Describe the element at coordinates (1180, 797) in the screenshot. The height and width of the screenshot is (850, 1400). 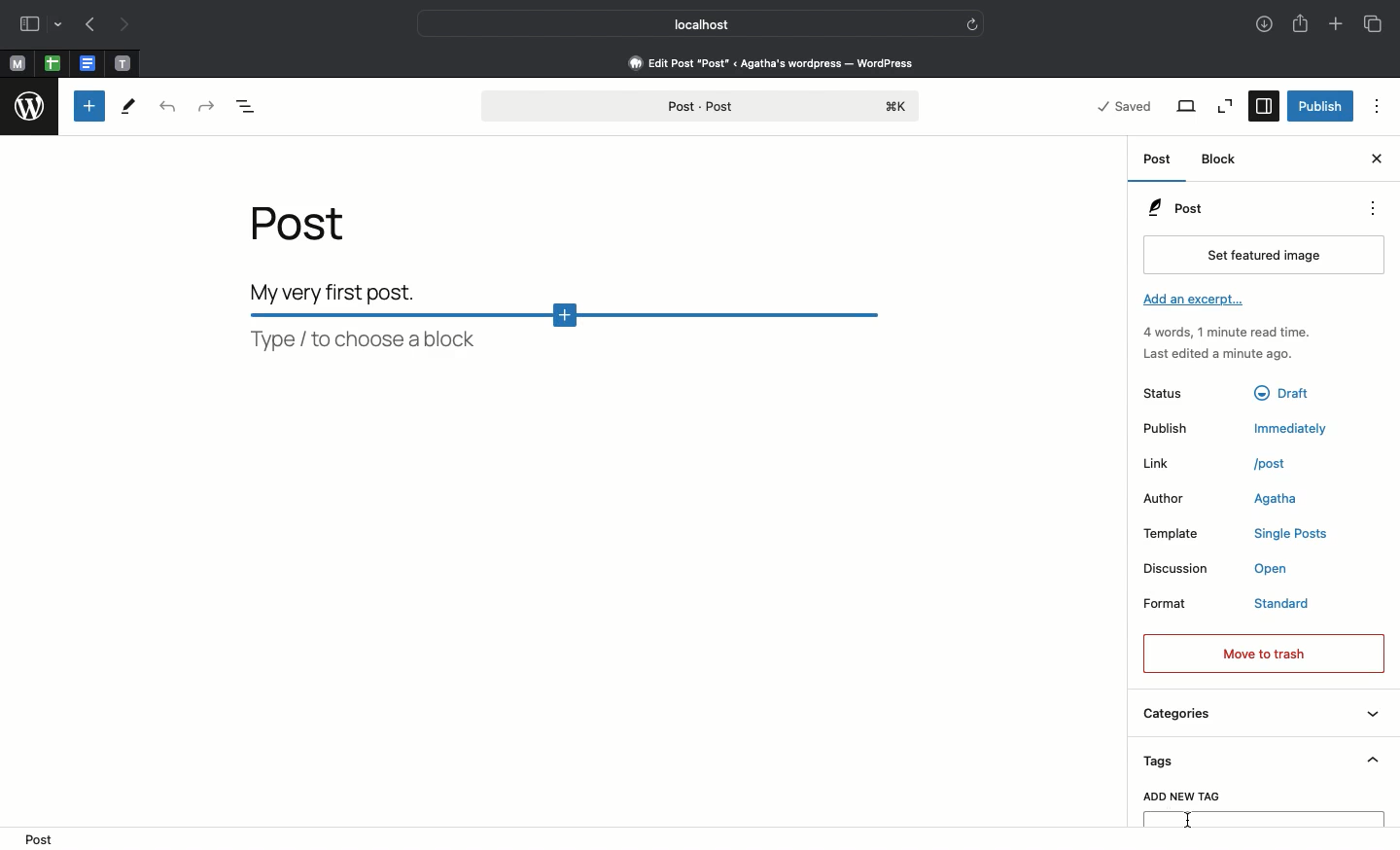
I see `Add new tag` at that location.